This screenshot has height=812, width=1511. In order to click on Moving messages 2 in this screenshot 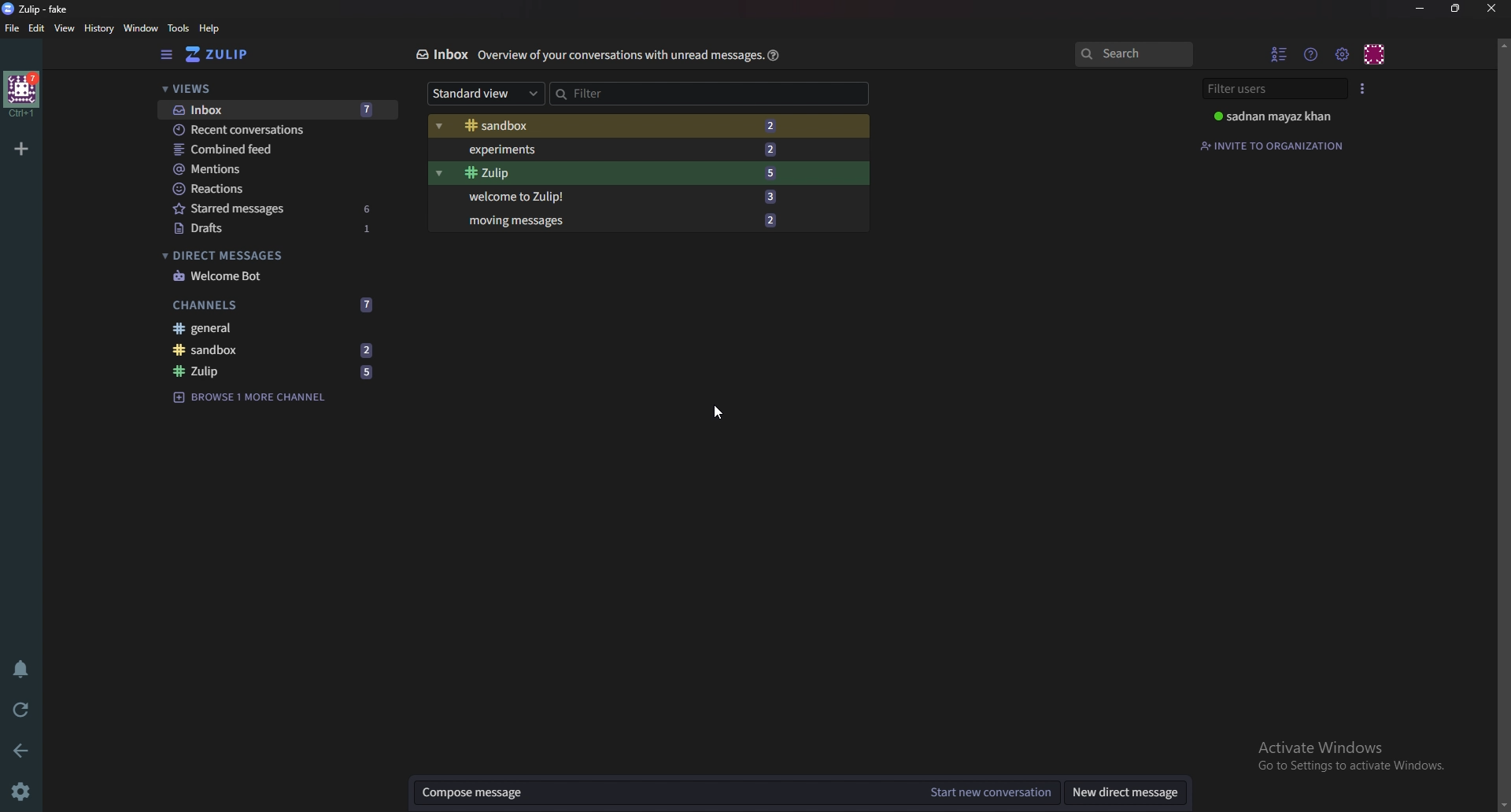, I will do `click(622, 220)`.